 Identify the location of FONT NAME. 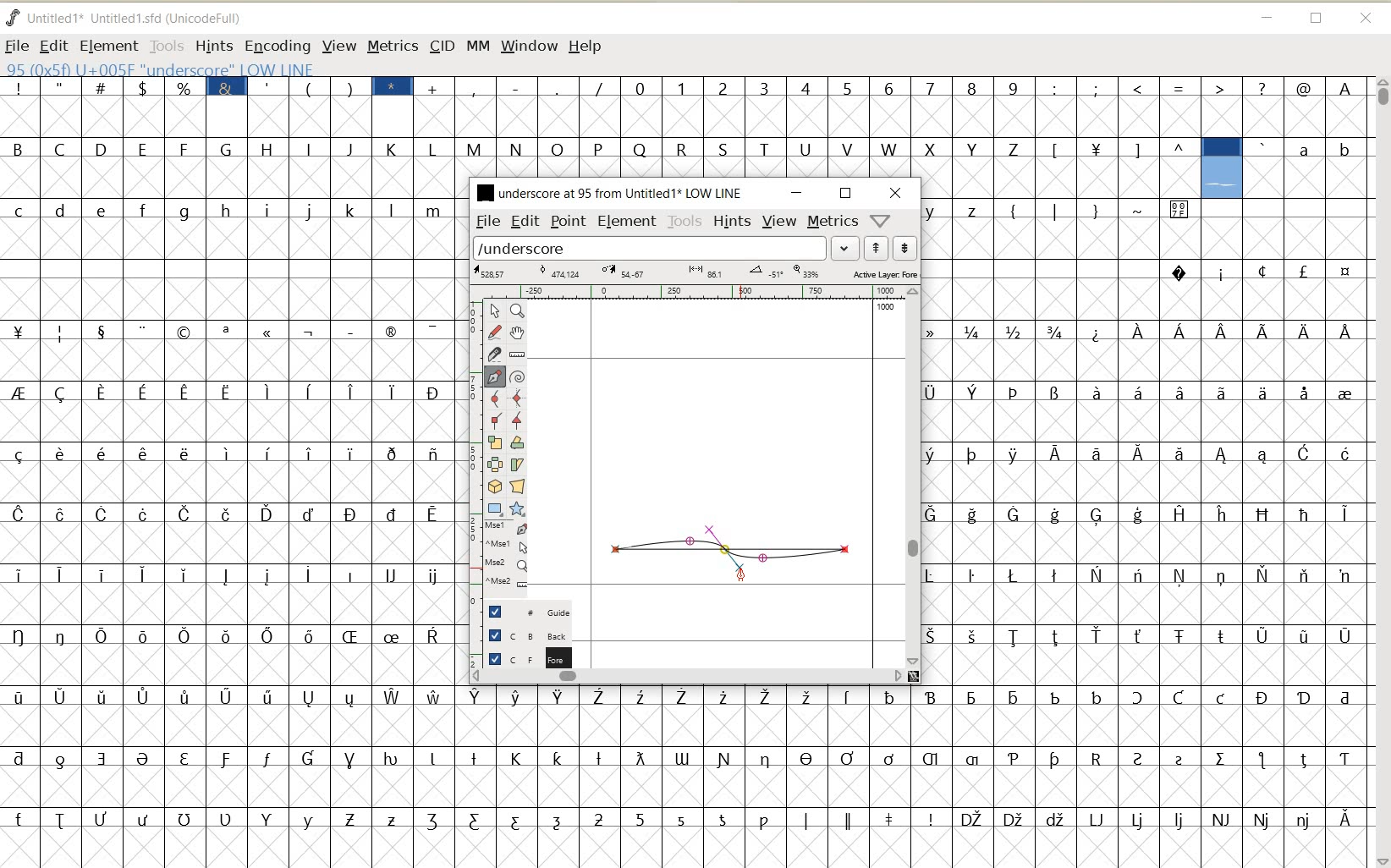
(138, 18).